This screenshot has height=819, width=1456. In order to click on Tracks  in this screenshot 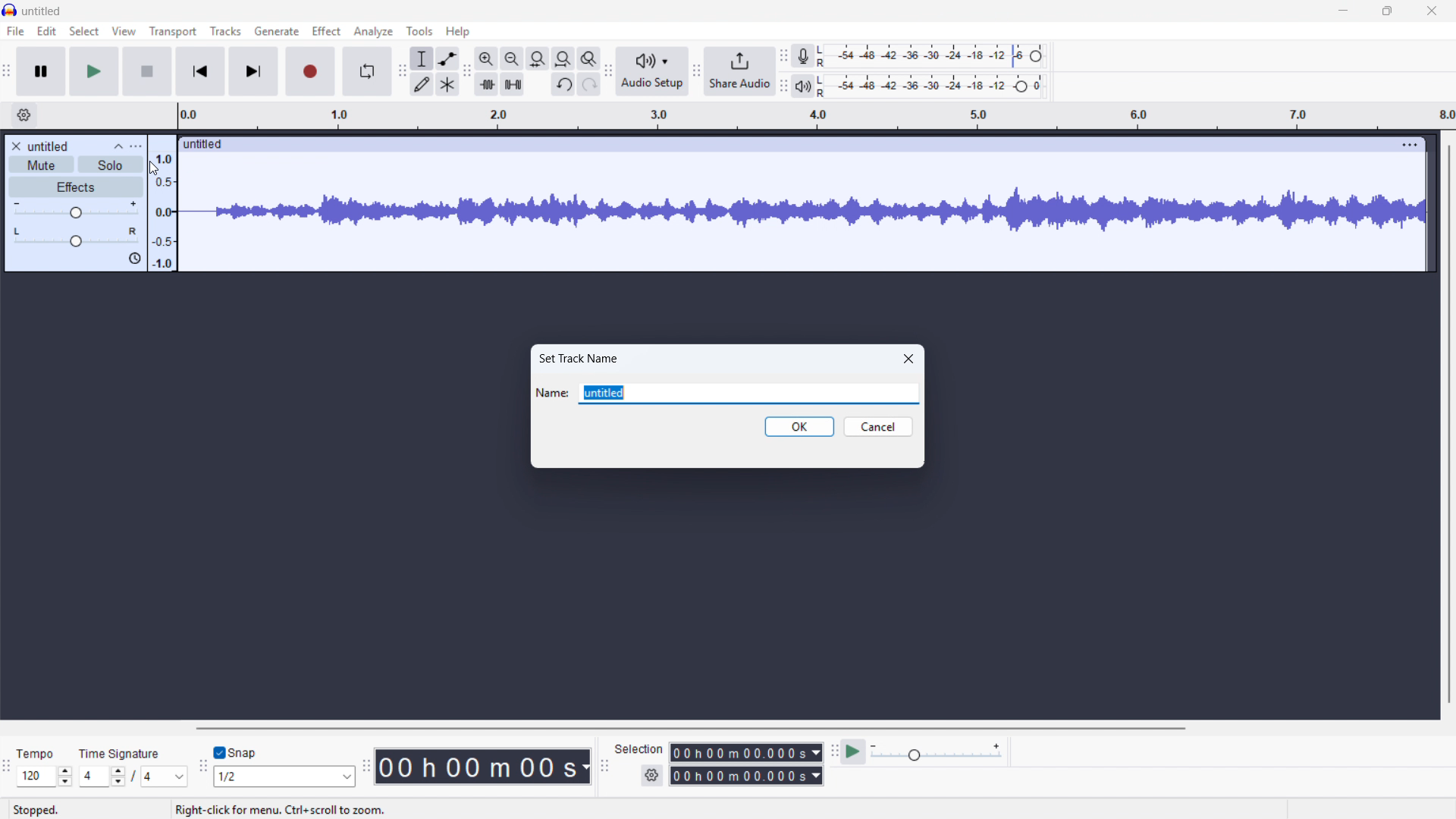, I will do `click(226, 30)`.